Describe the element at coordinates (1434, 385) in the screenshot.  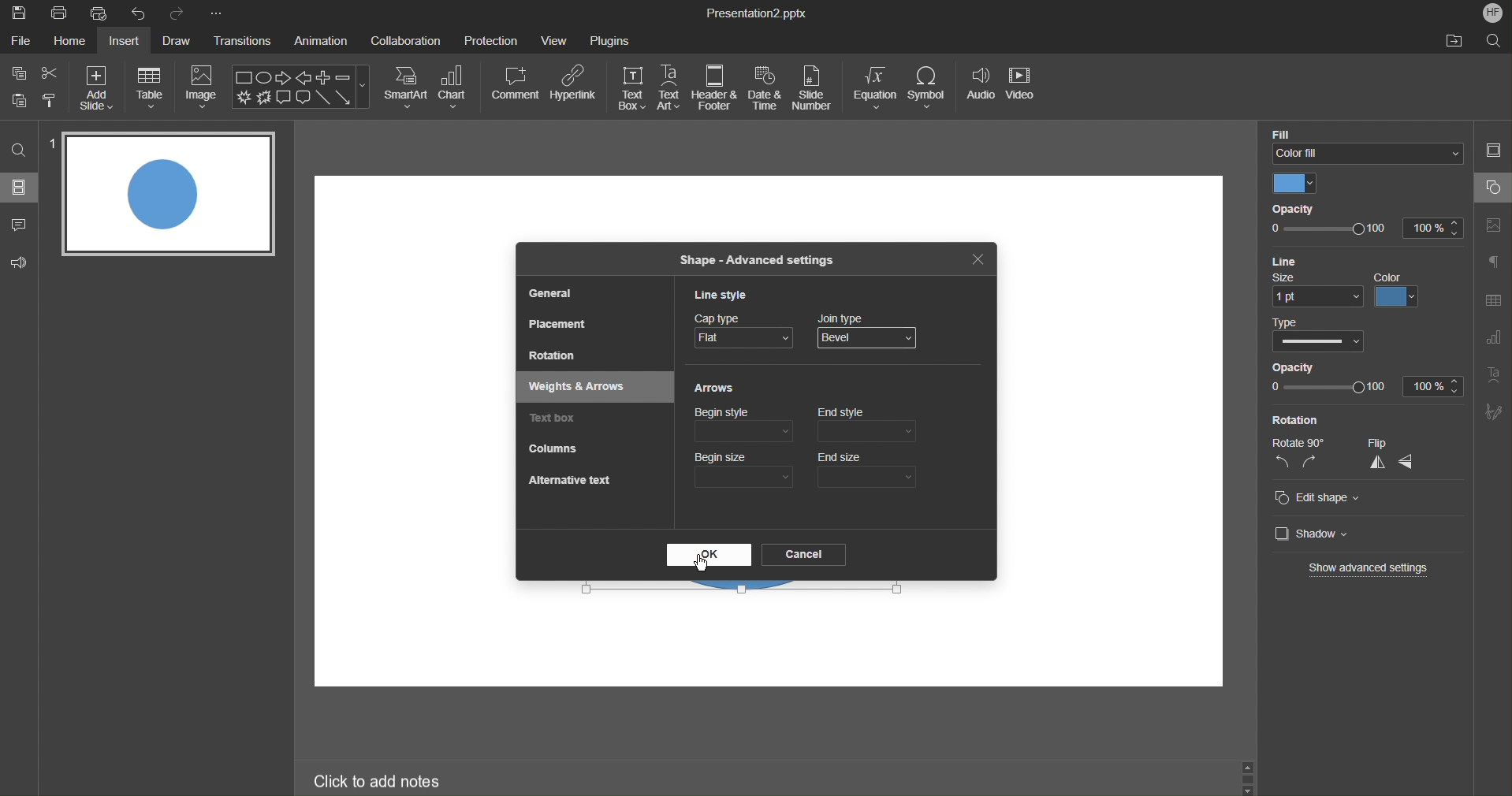
I see `100%` at that location.